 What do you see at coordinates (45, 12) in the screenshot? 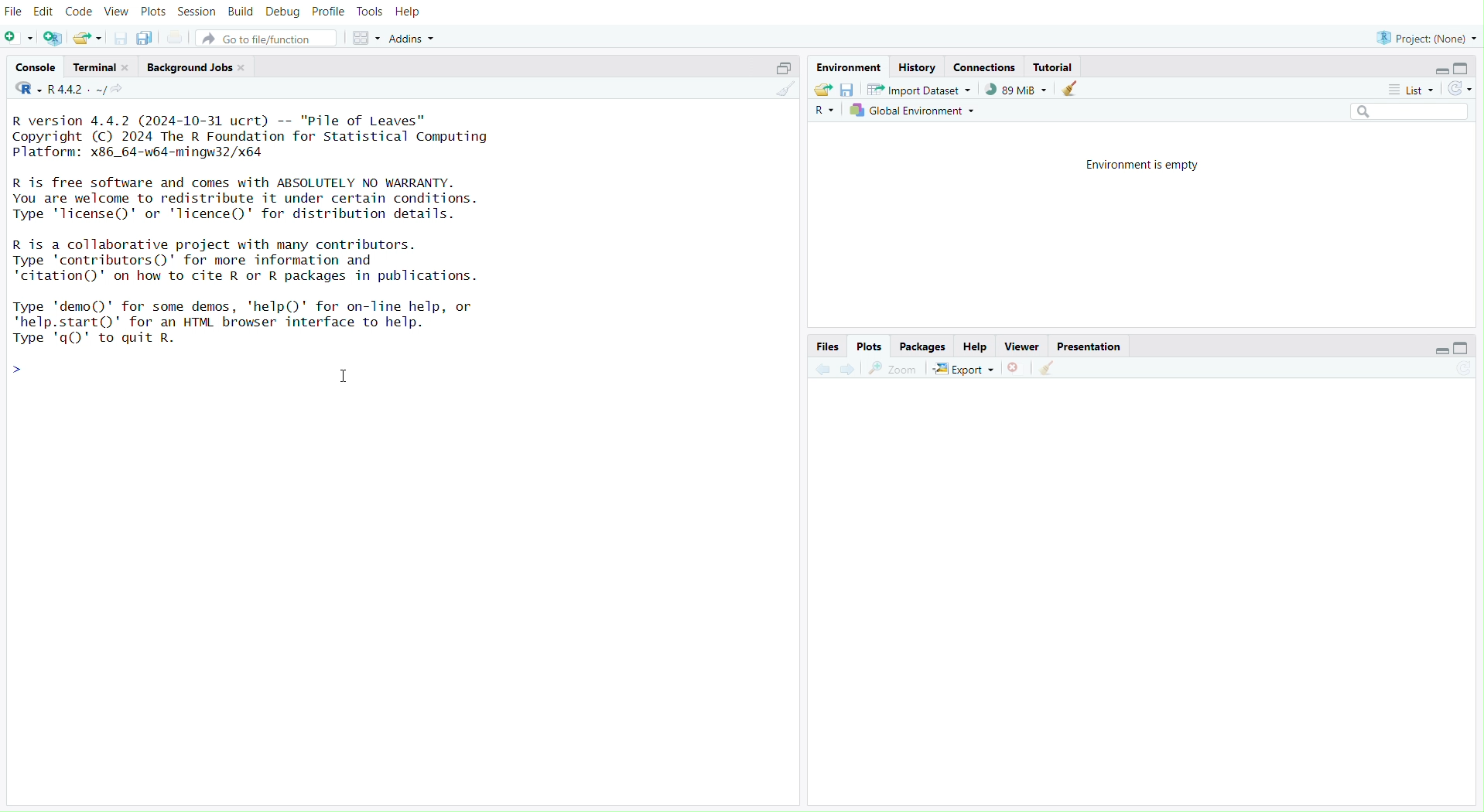
I see `Edit` at bounding box center [45, 12].